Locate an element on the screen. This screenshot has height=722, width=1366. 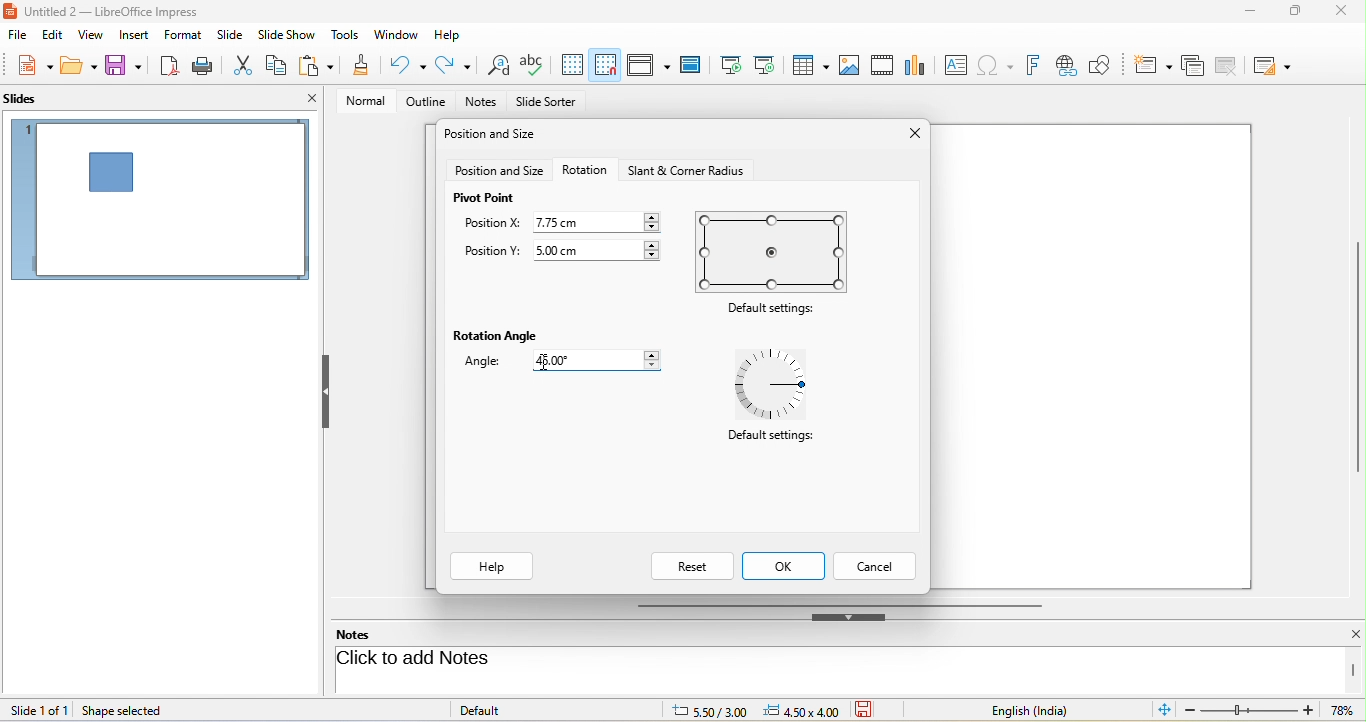
position and size is located at coordinates (494, 136).